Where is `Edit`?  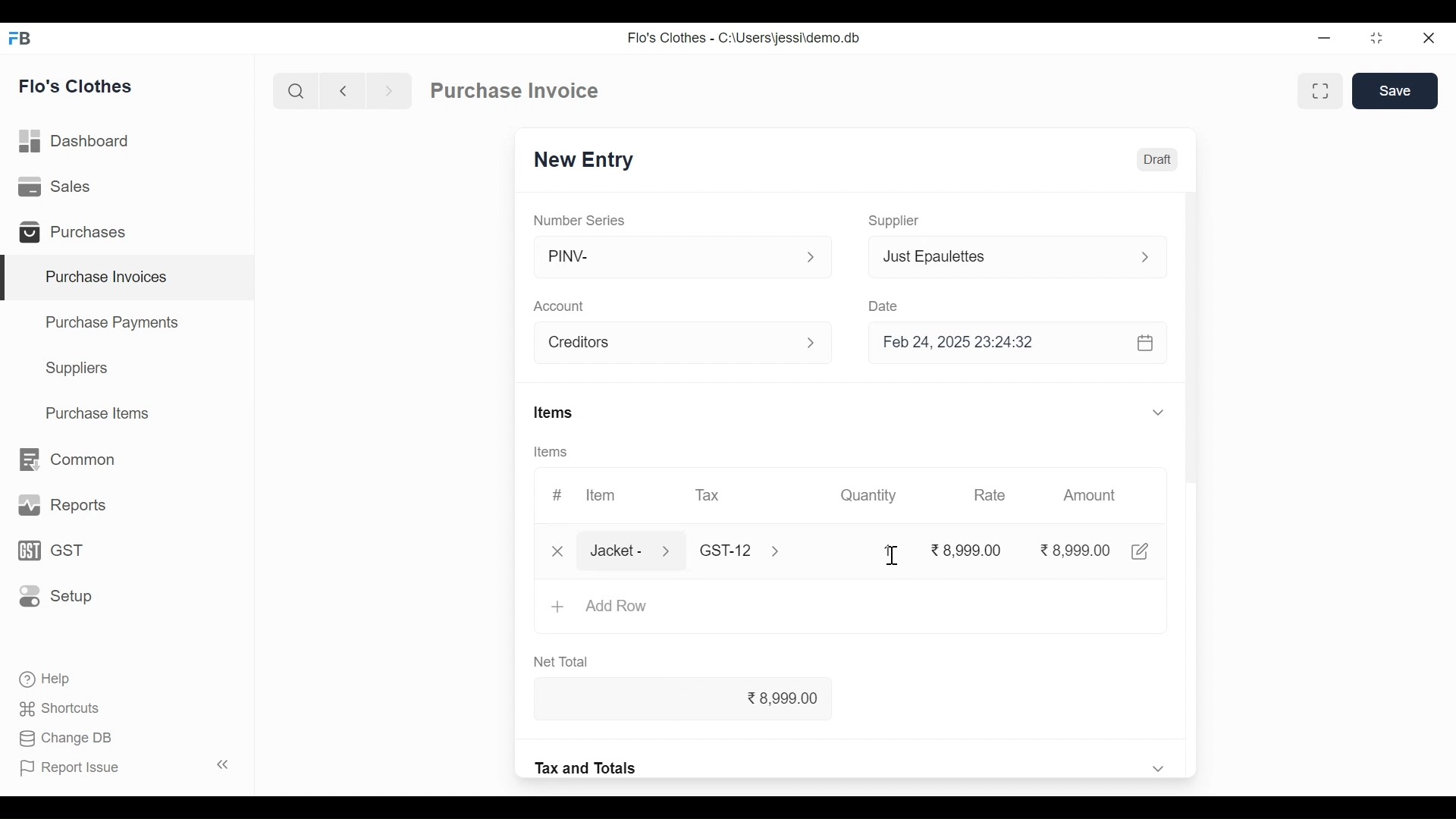 Edit is located at coordinates (1141, 551).